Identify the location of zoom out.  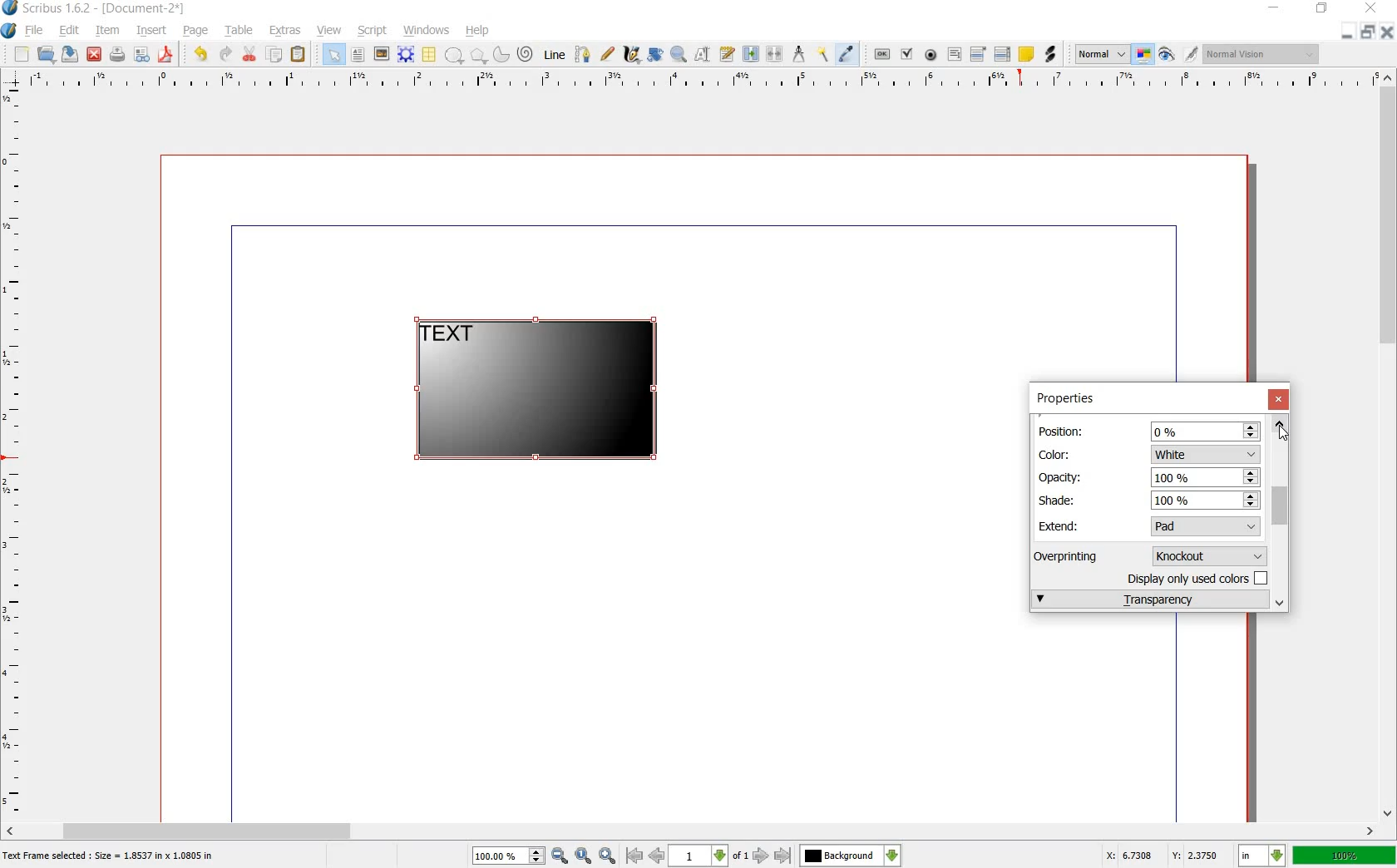
(560, 856).